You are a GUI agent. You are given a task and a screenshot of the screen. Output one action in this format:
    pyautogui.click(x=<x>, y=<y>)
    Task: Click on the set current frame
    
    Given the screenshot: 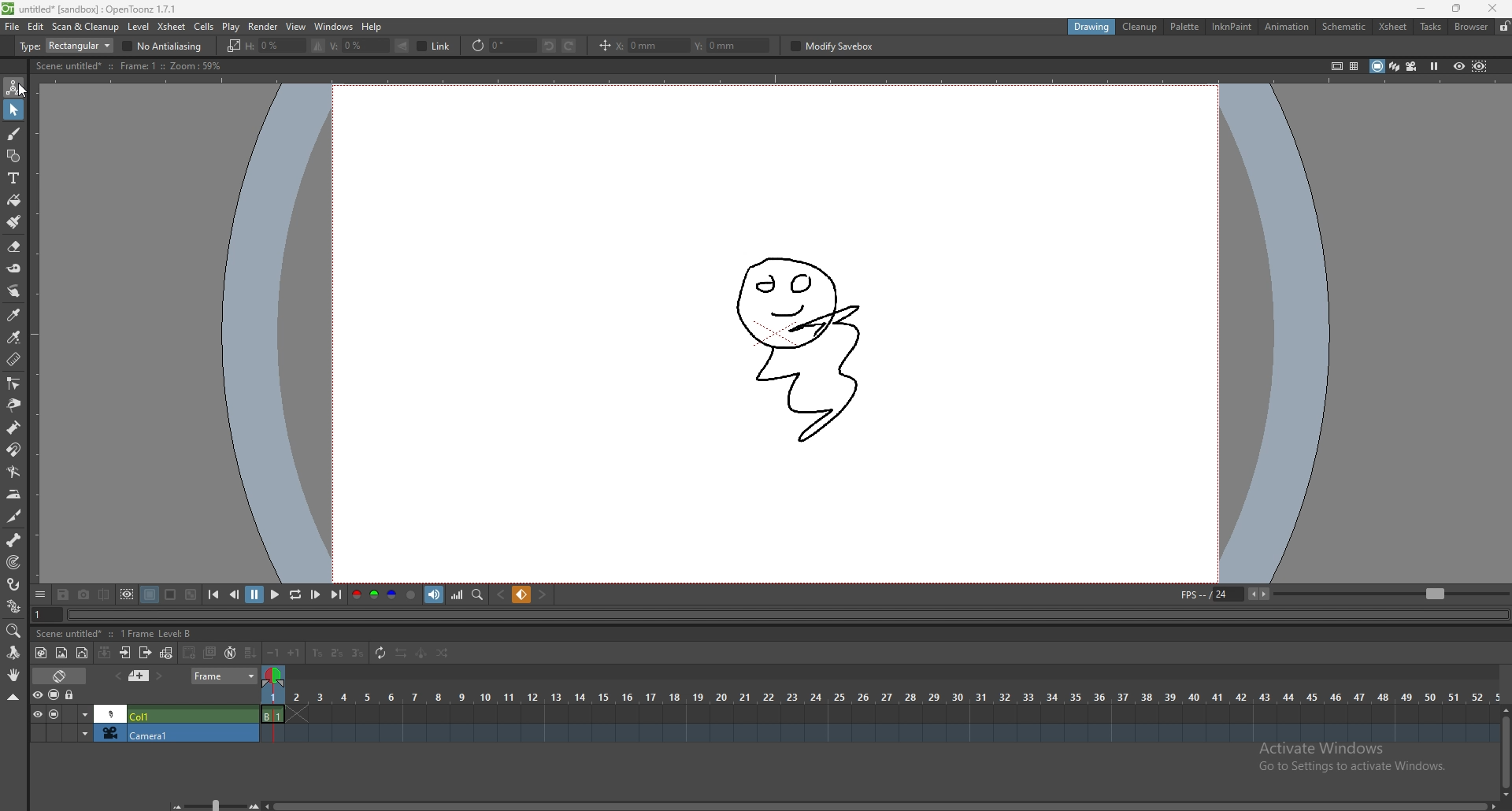 What is the action you would take?
    pyautogui.click(x=47, y=614)
    